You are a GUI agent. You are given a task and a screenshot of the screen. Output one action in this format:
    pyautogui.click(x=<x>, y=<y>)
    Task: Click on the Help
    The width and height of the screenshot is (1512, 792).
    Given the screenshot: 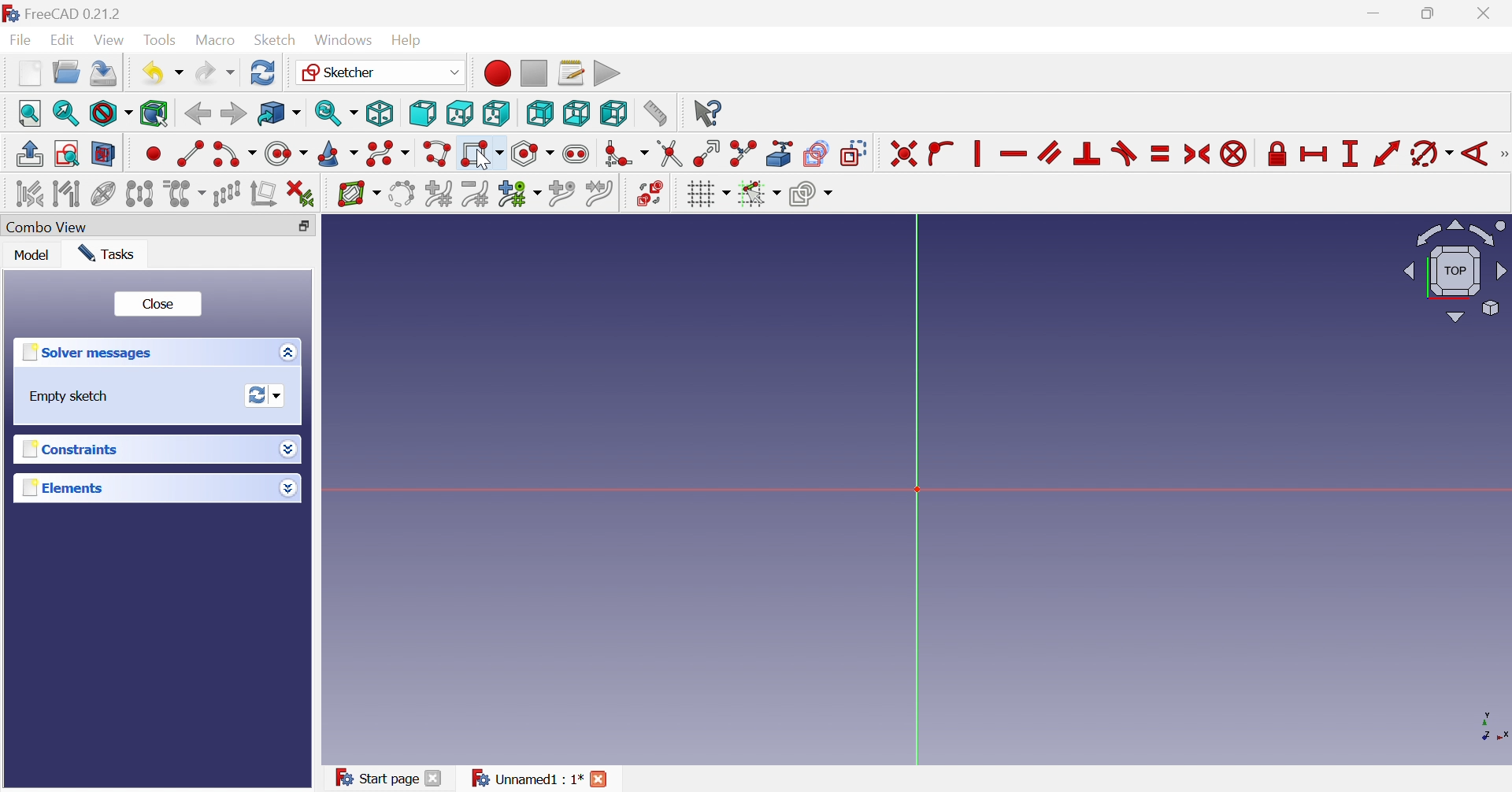 What is the action you would take?
    pyautogui.click(x=406, y=39)
    